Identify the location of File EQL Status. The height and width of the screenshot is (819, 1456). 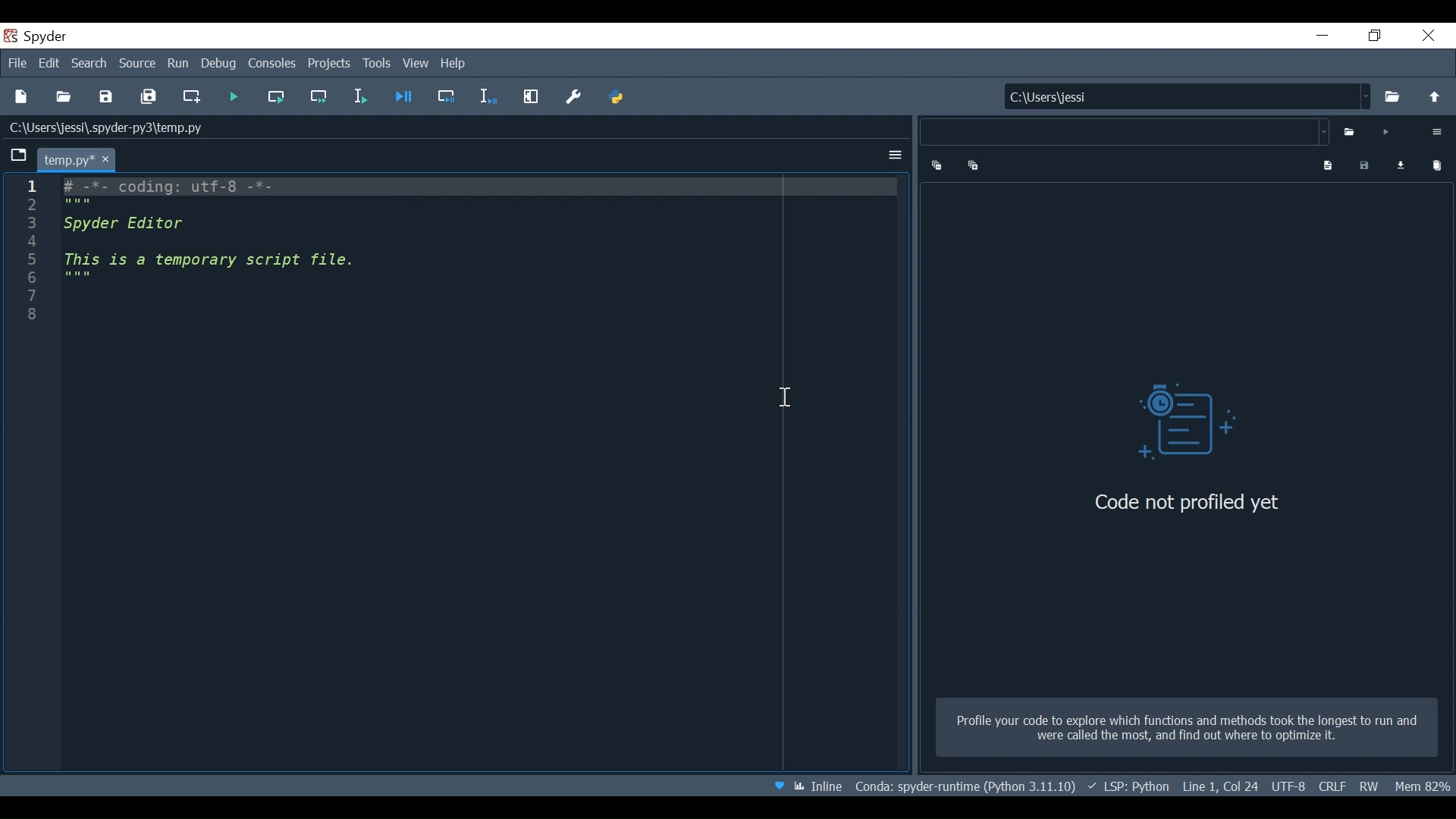
(1332, 784).